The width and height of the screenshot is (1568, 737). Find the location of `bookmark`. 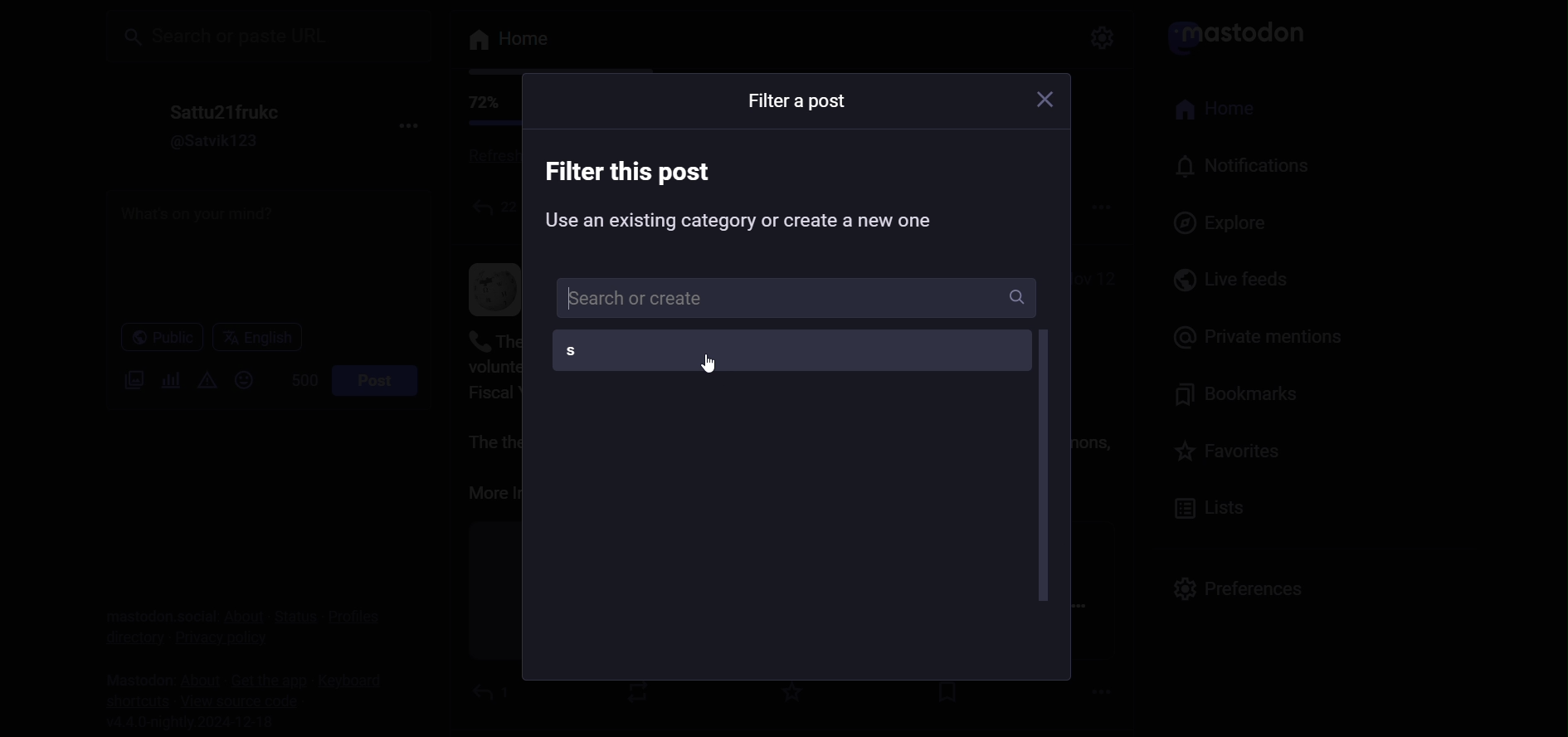

bookmark is located at coordinates (1245, 397).